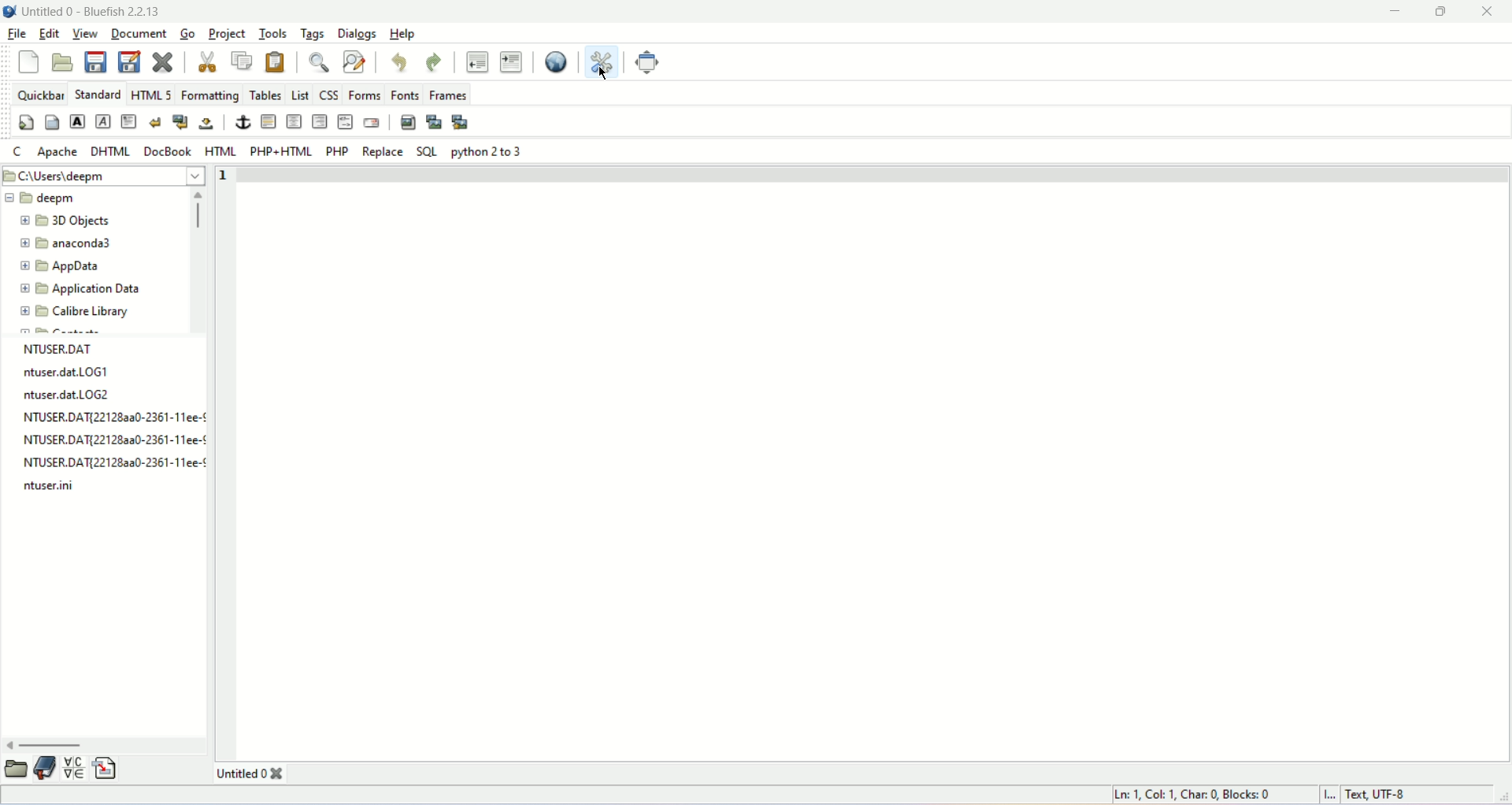 The width and height of the screenshot is (1512, 805). I want to click on line number, so click(228, 175).